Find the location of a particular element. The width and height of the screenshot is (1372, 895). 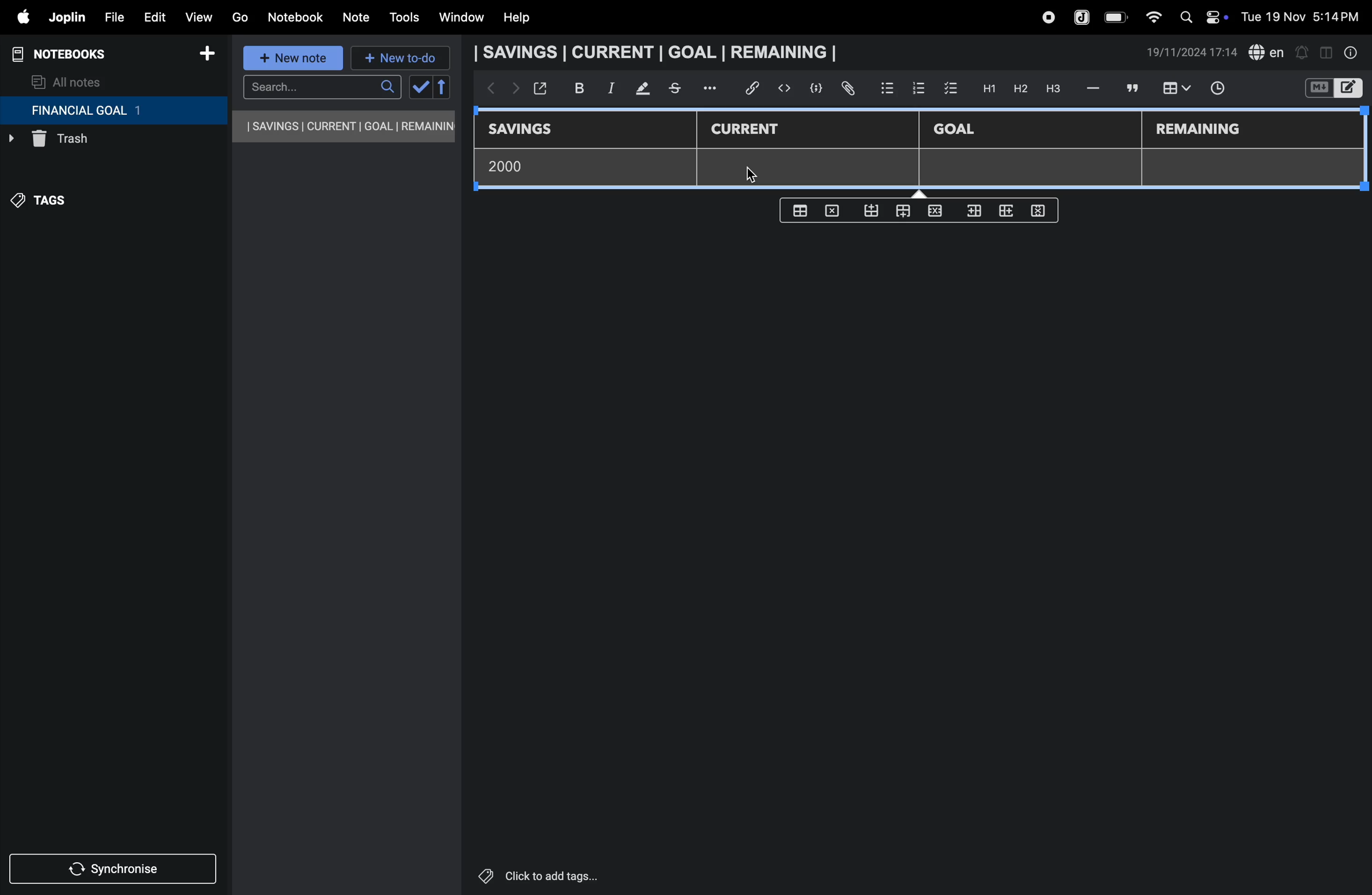

numbered list is located at coordinates (918, 88).